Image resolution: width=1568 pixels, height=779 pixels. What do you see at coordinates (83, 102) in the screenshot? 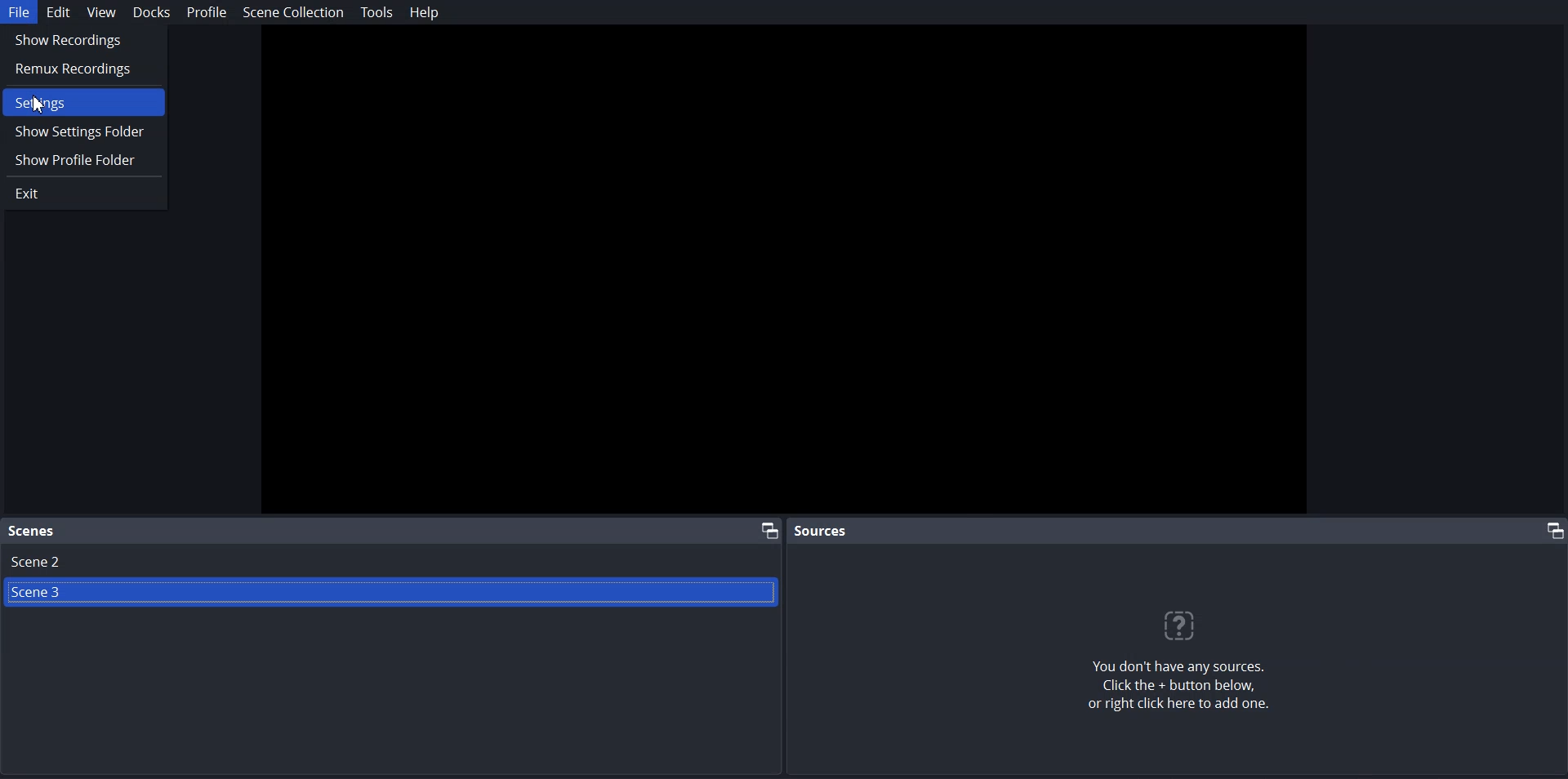
I see `Settings` at bounding box center [83, 102].